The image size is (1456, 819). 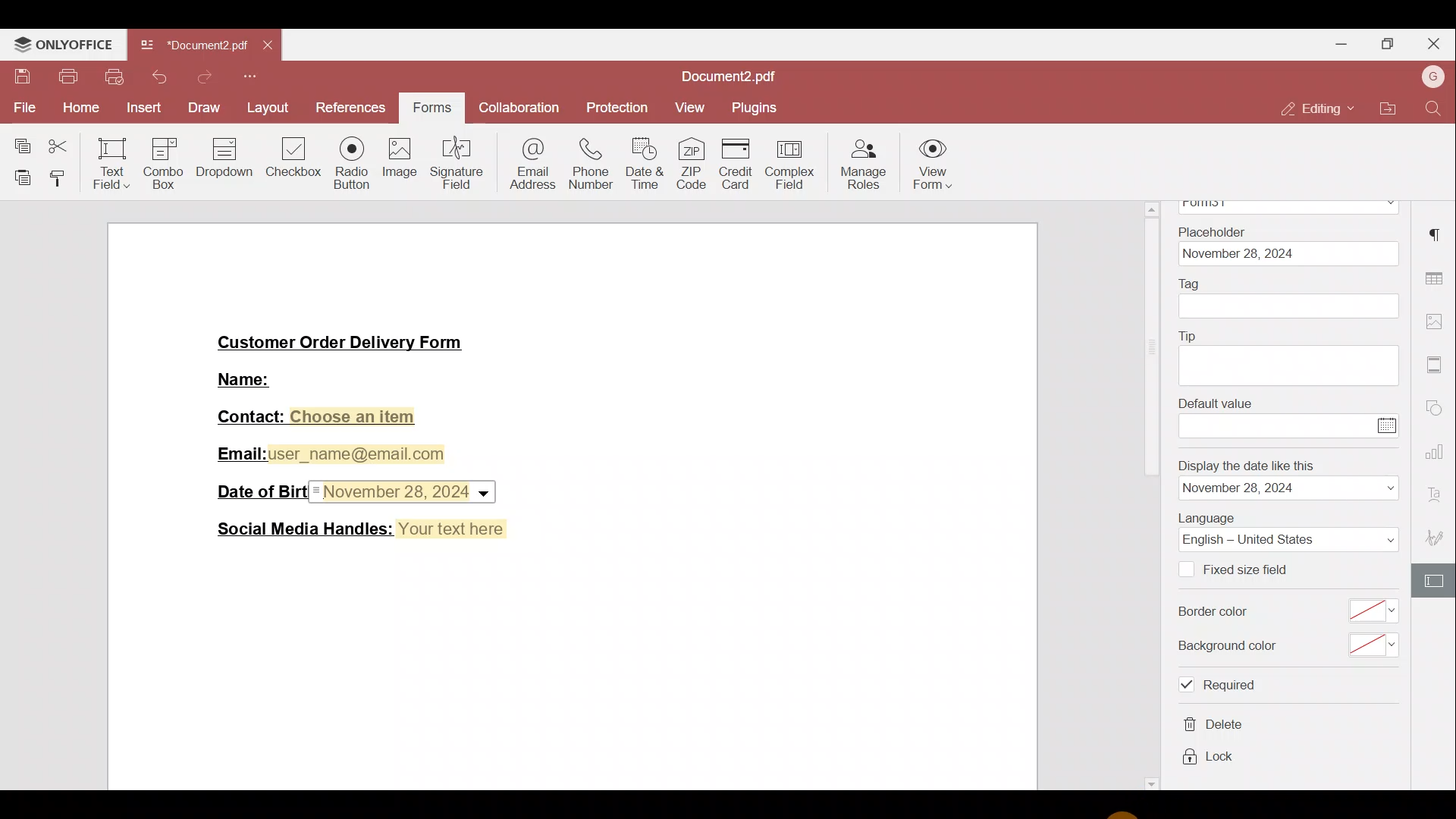 I want to click on Checkbox , so click(x=1187, y=570).